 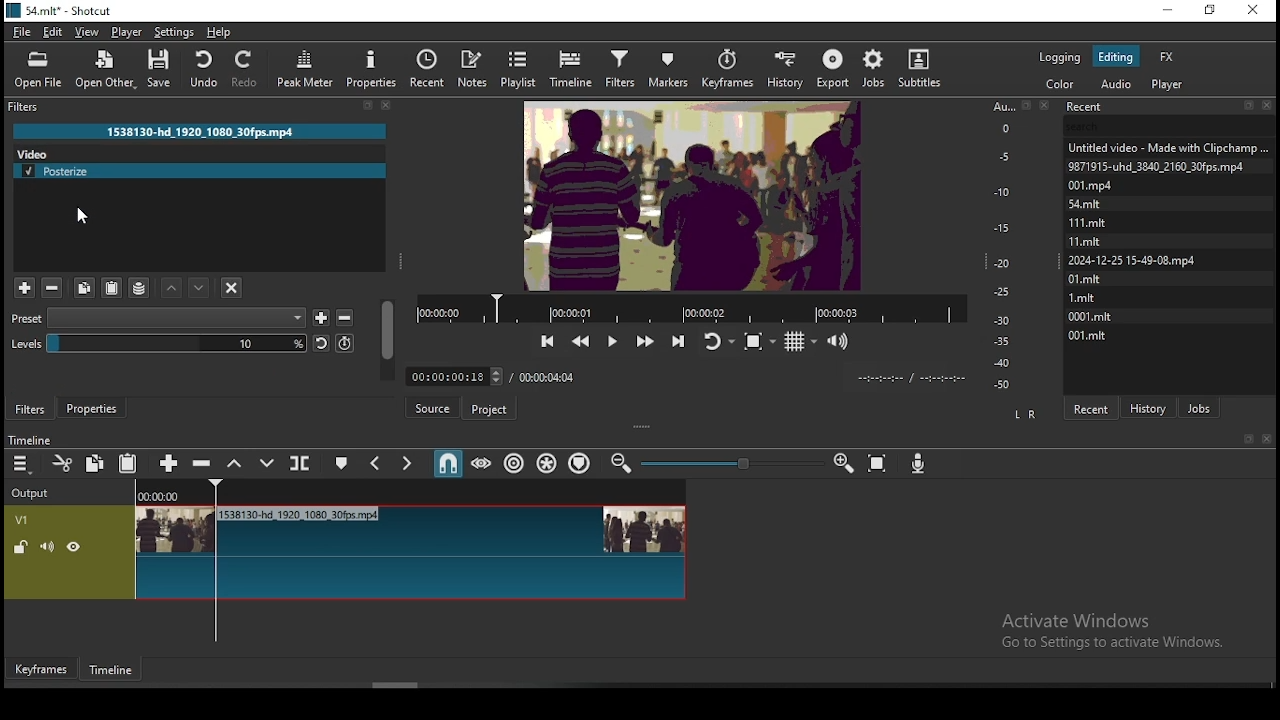 What do you see at coordinates (206, 69) in the screenshot?
I see `undo` at bounding box center [206, 69].